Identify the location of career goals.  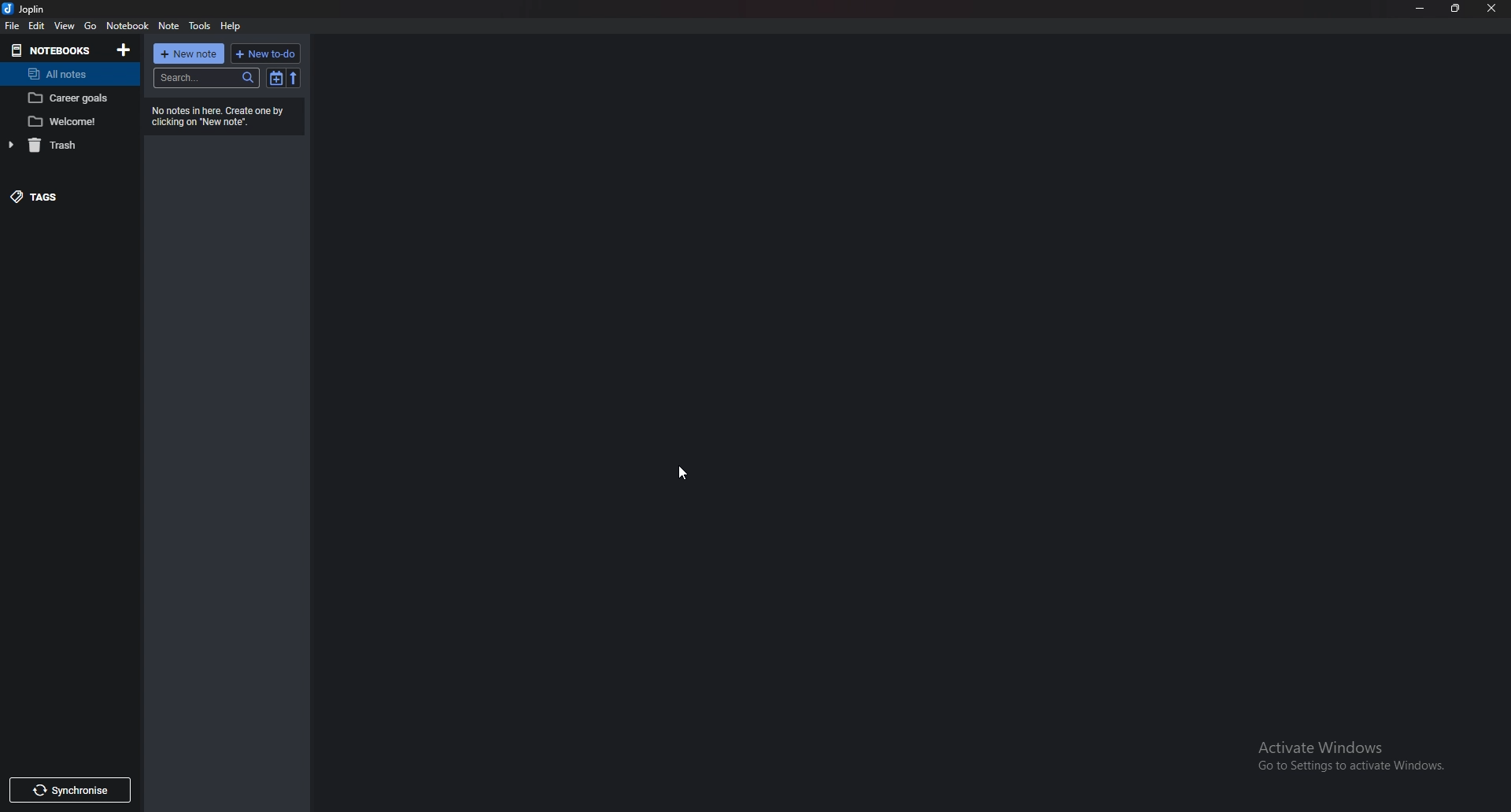
(69, 98).